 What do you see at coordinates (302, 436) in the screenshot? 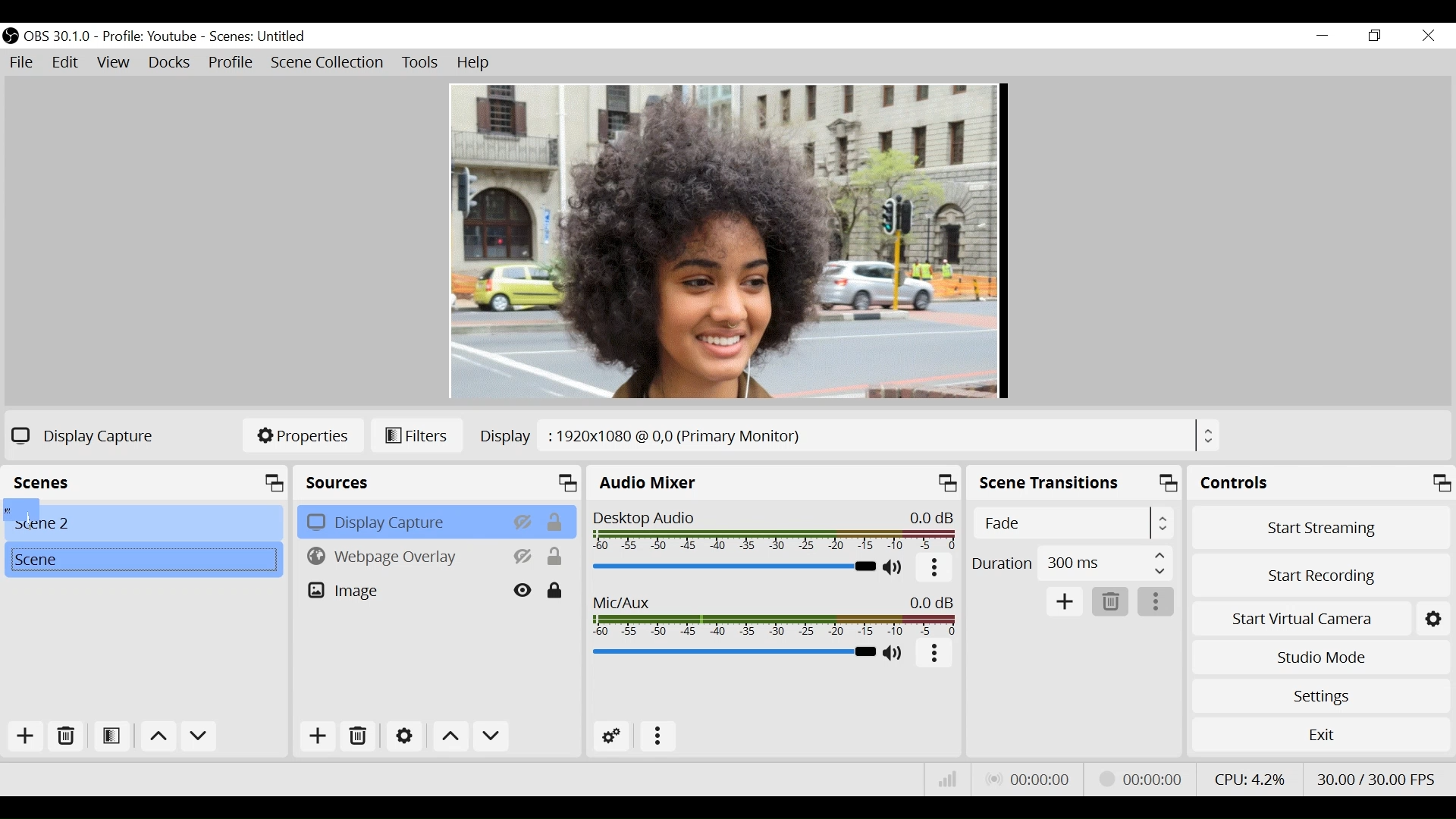
I see `Properties` at bounding box center [302, 436].